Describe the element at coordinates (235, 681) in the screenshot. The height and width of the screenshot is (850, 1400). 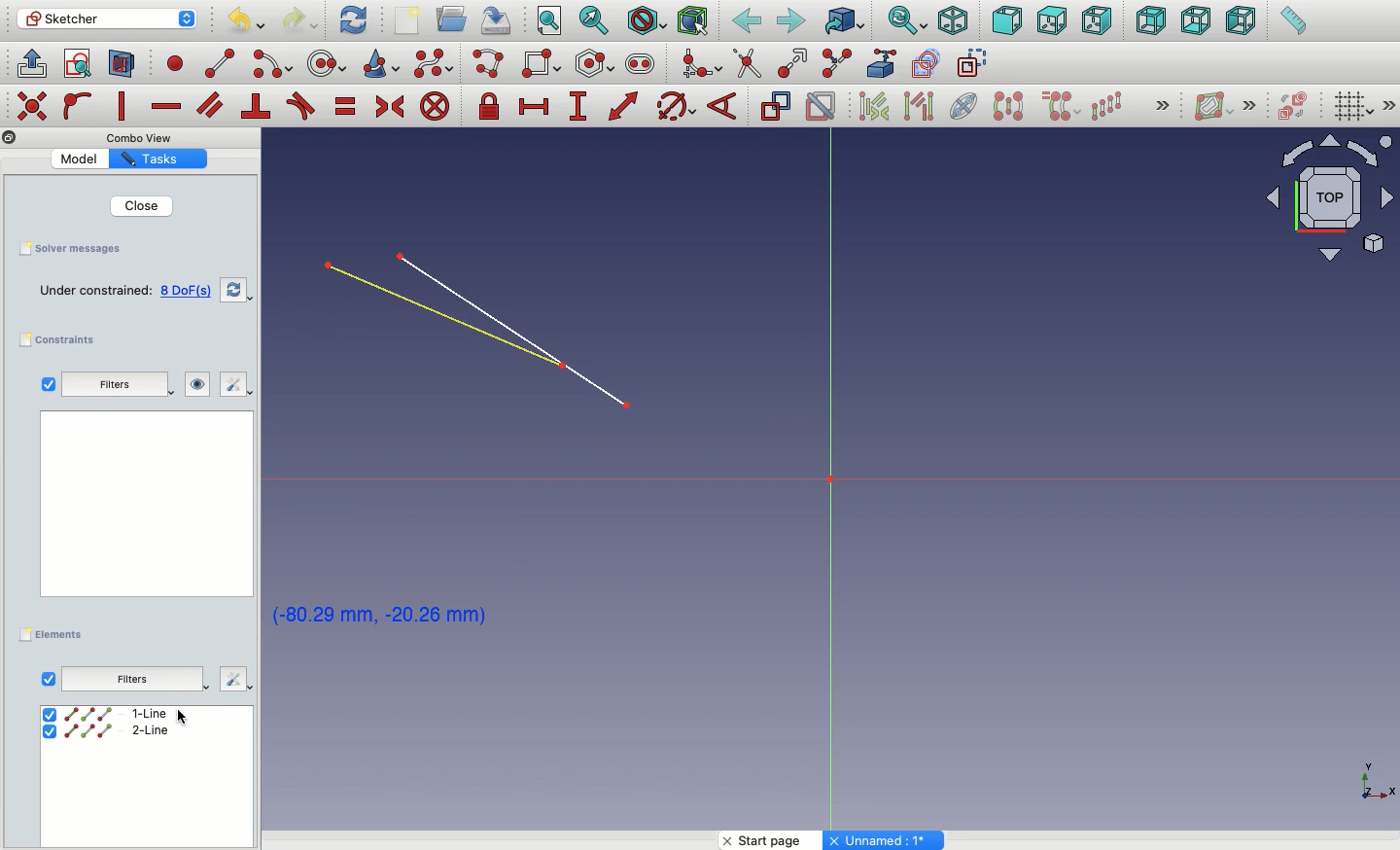
I see `` at that location.